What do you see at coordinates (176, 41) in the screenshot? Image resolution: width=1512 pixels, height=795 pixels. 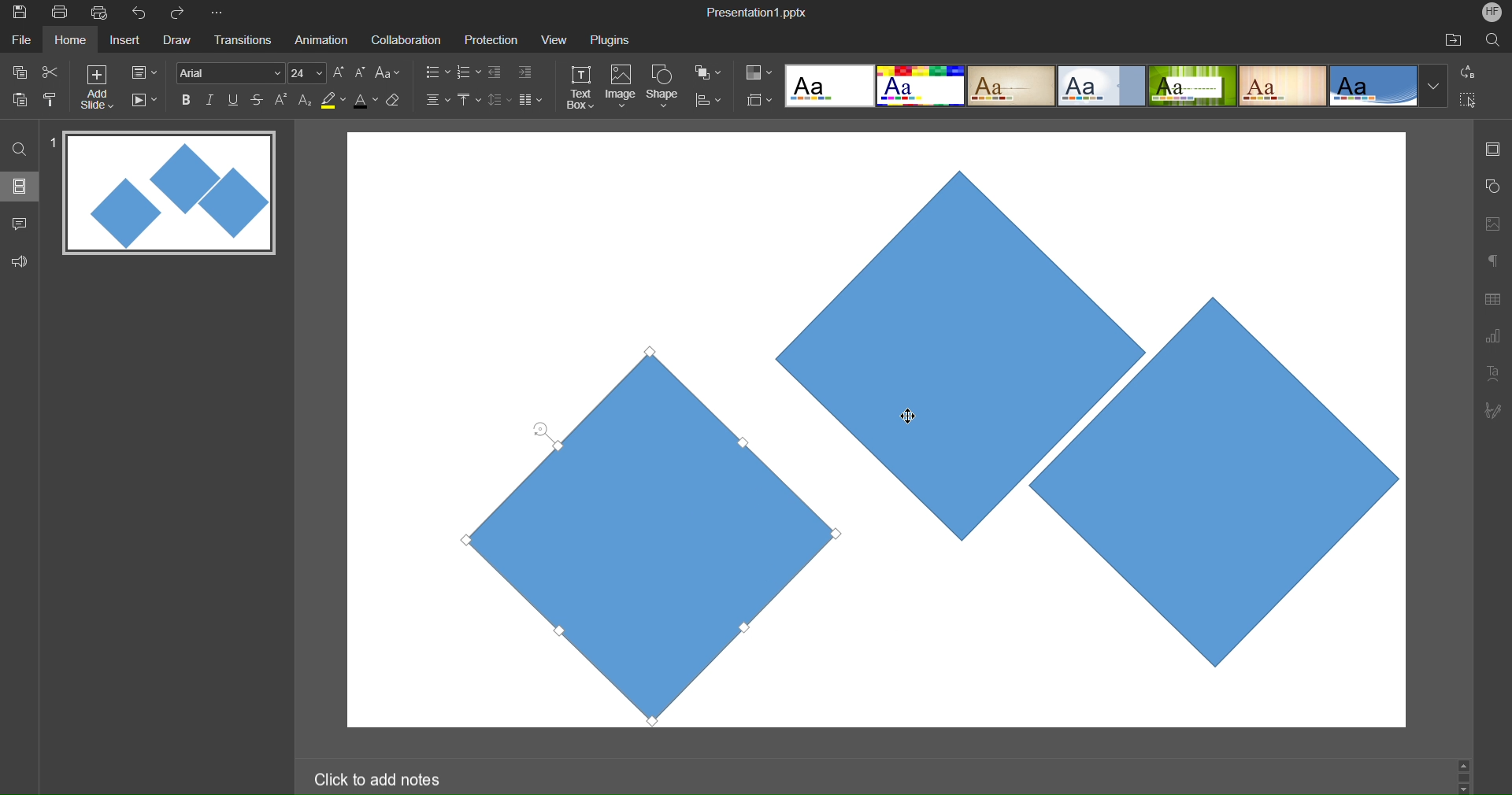 I see `Draw` at bounding box center [176, 41].